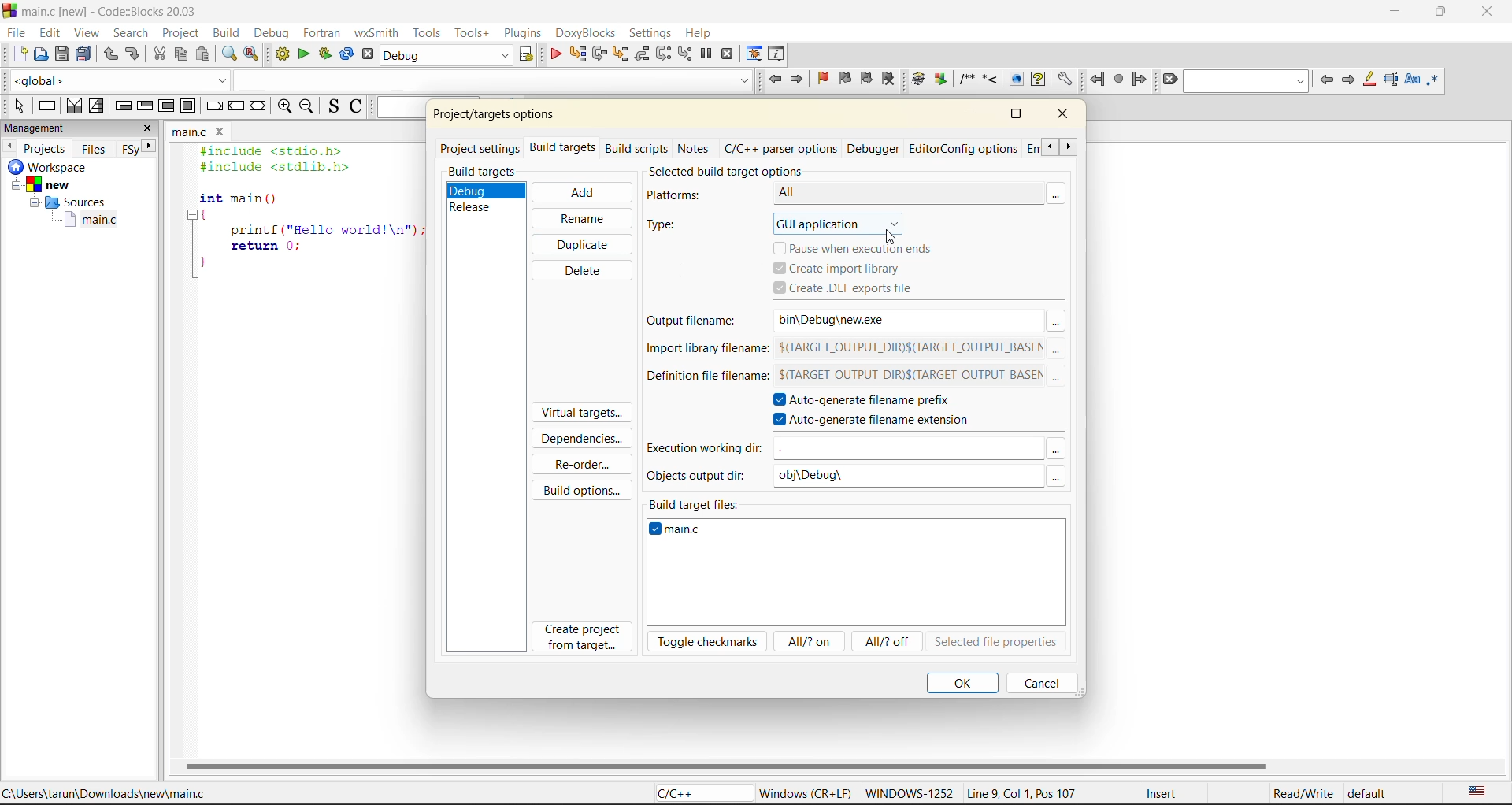 The image size is (1512, 805). What do you see at coordinates (963, 150) in the screenshot?
I see `editor/config options` at bounding box center [963, 150].